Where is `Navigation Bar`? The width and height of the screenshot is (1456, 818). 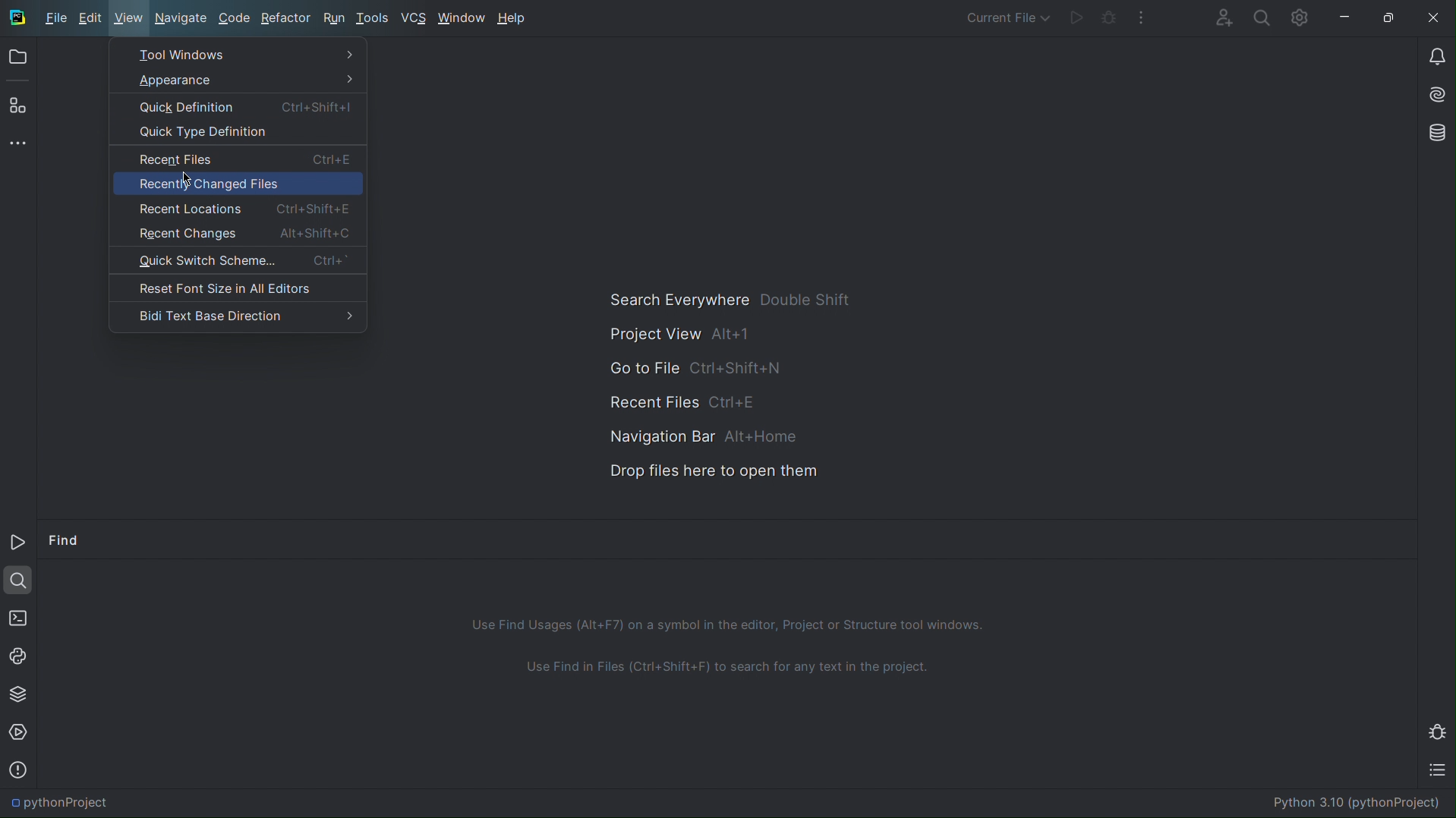
Navigation Bar is located at coordinates (691, 434).